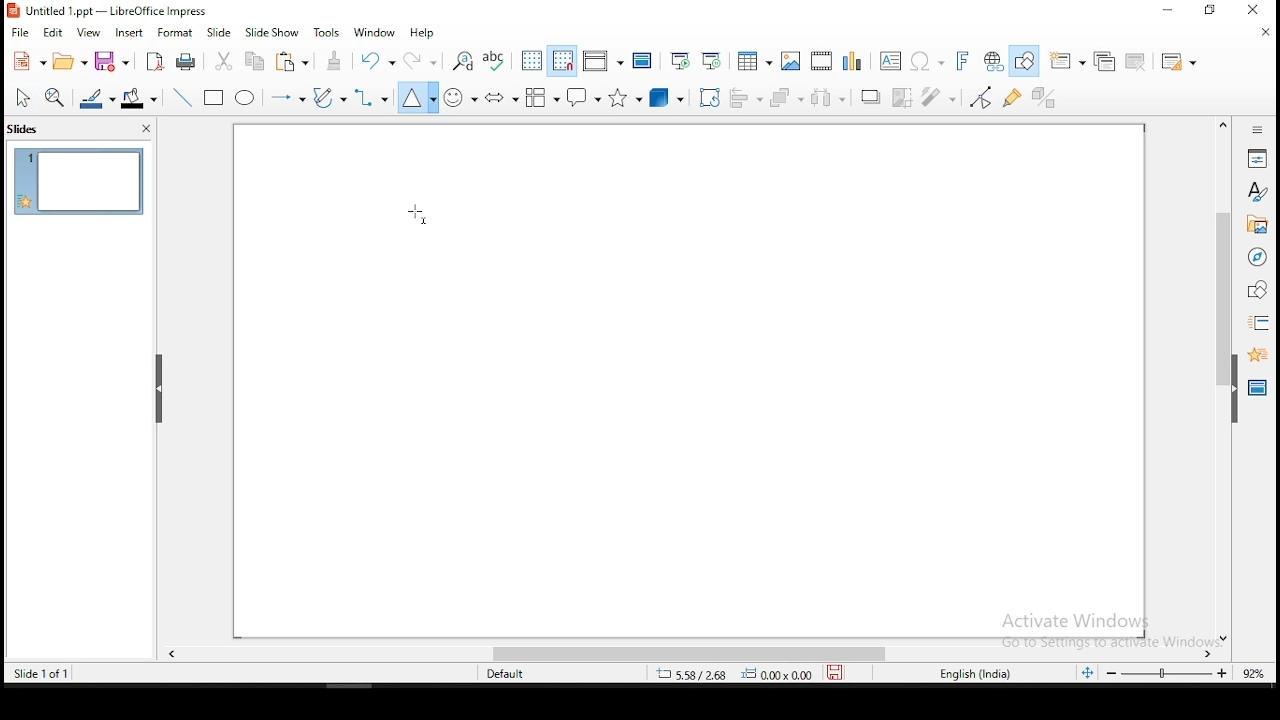  I want to click on properties, so click(1259, 157).